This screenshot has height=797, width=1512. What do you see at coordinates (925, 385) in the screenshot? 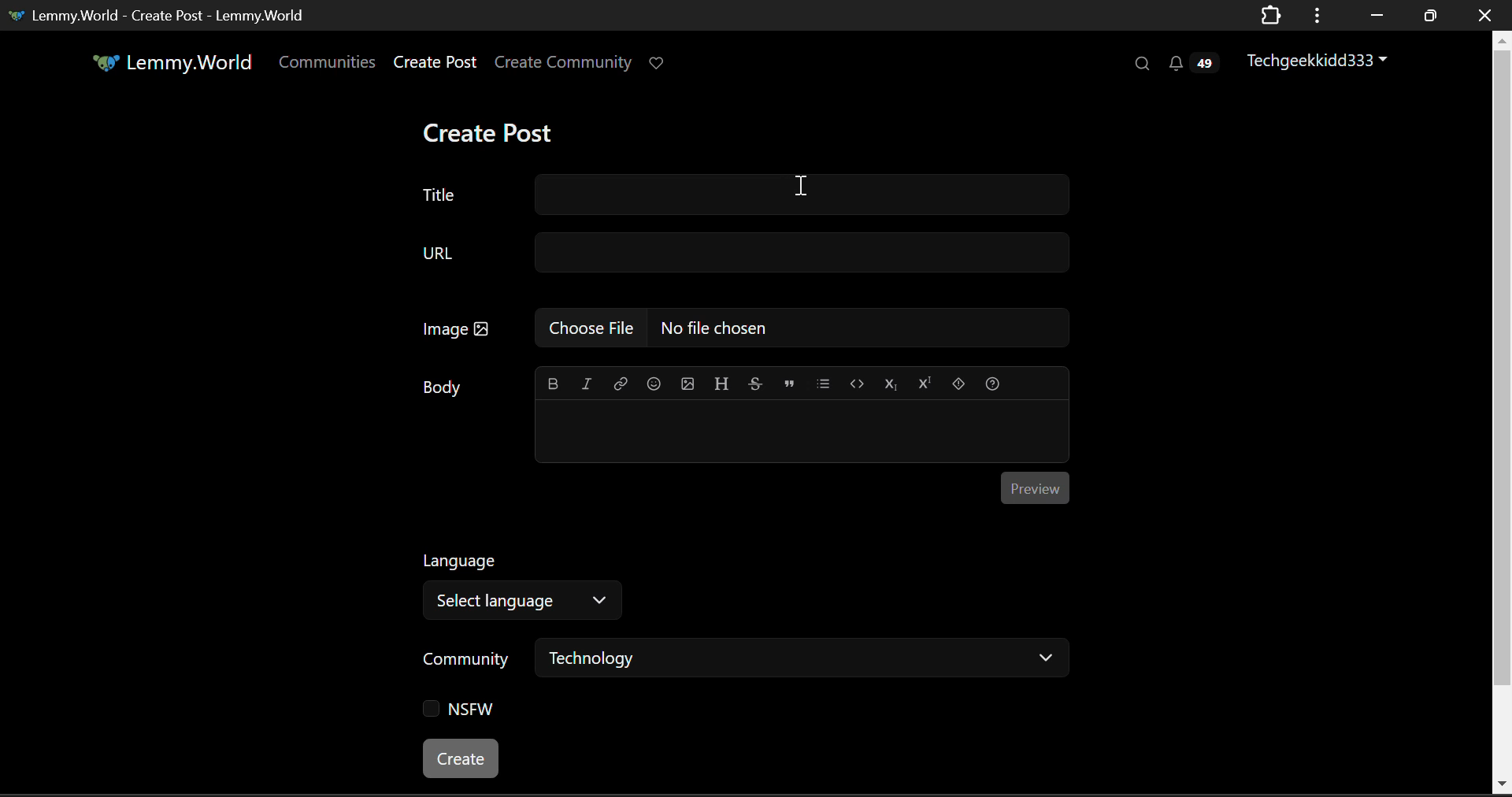
I see `Superscript` at bounding box center [925, 385].